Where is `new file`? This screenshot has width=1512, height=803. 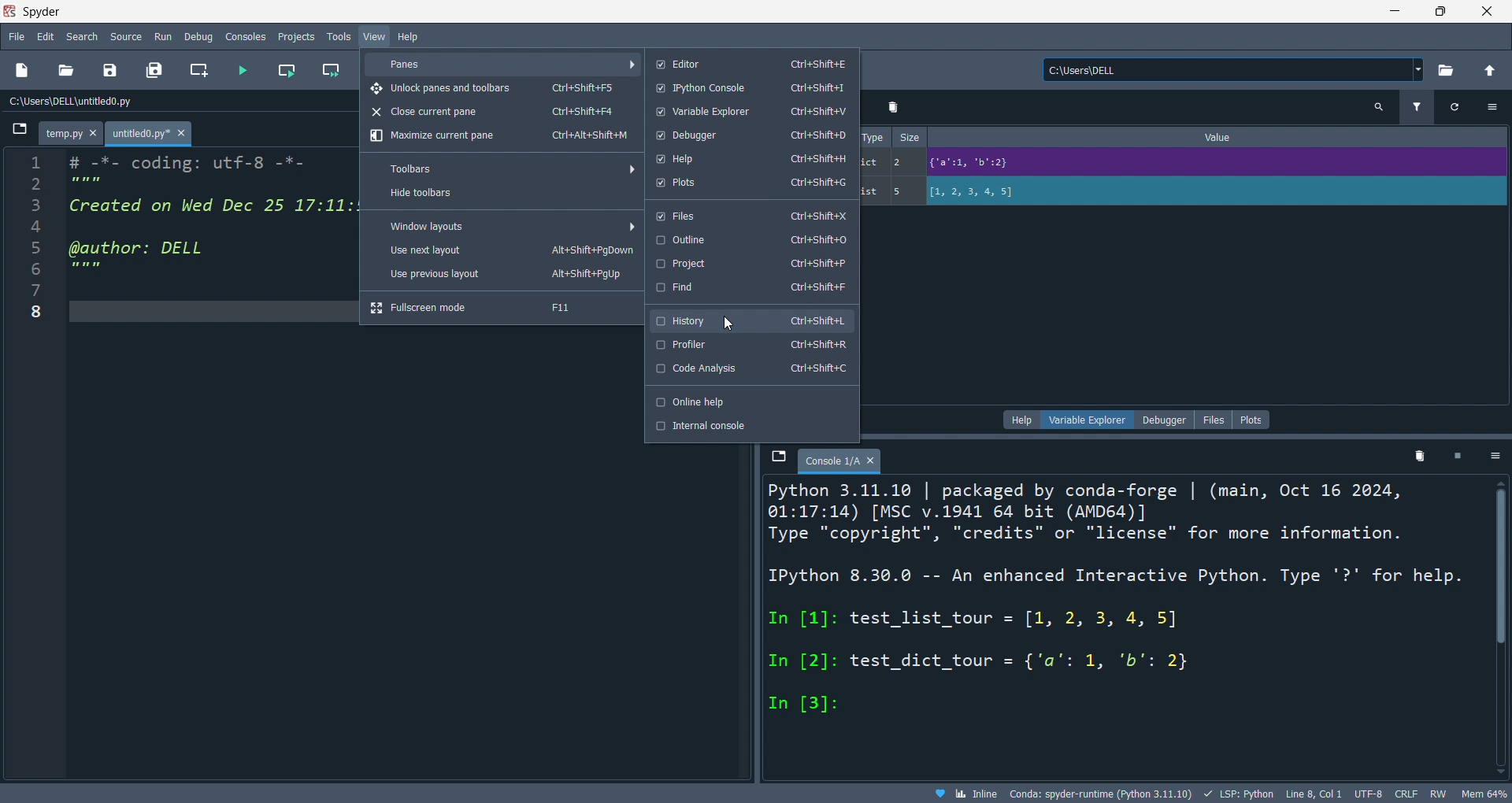
new file is located at coordinates (24, 71).